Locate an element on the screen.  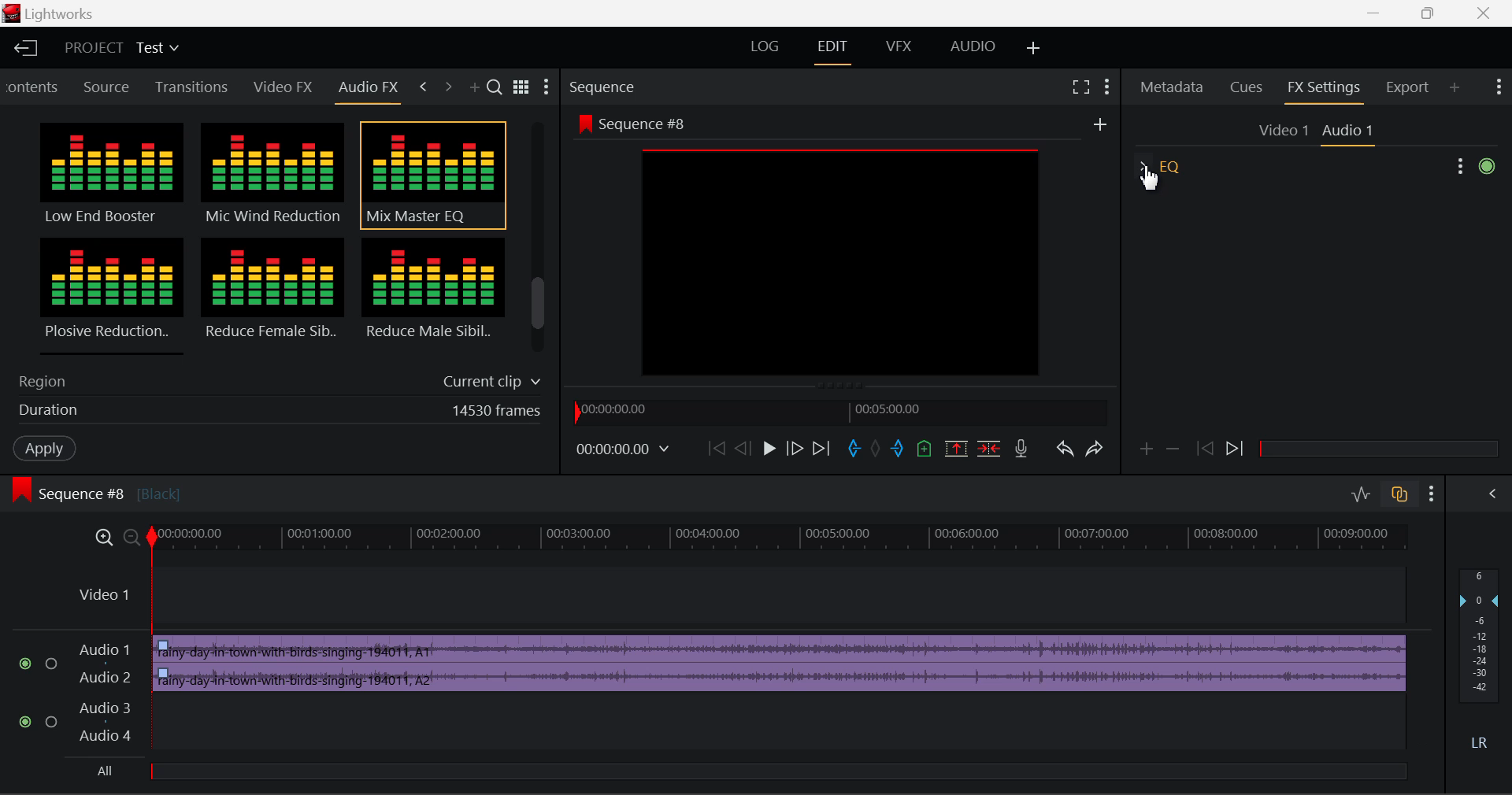
Reduce Male Sibilance is located at coordinates (432, 294).